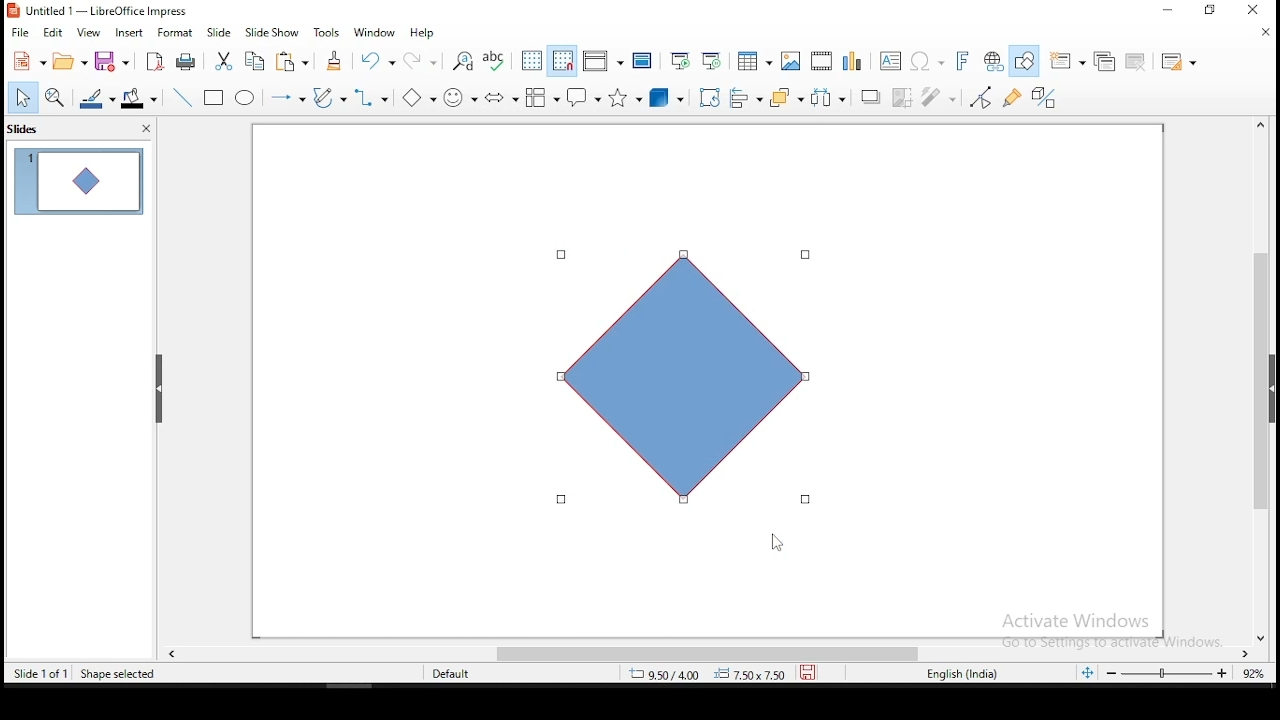 This screenshot has height=720, width=1280. Describe the element at coordinates (1255, 10) in the screenshot. I see `close window` at that location.